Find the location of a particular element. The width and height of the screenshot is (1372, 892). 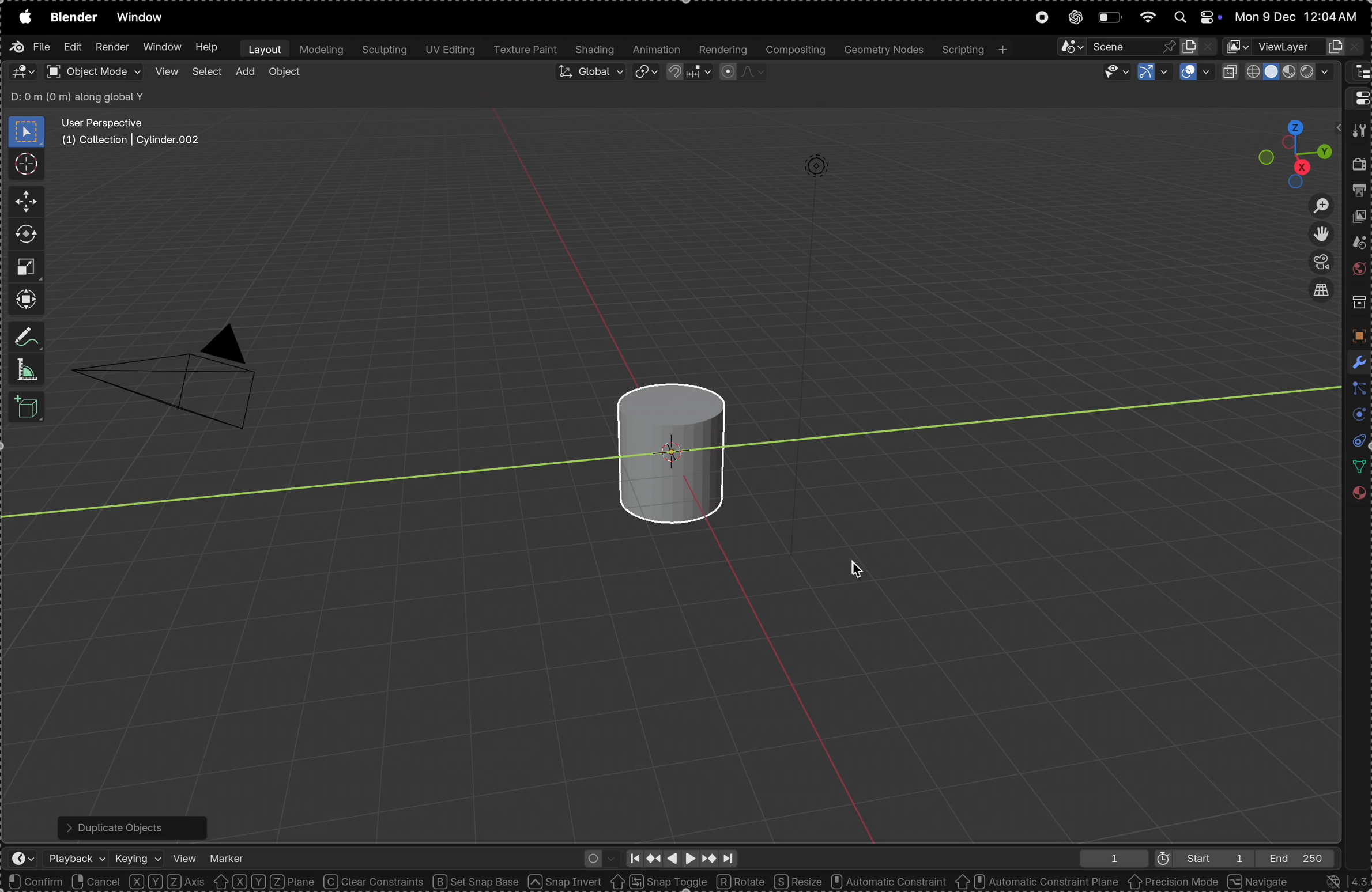

show overlays is located at coordinates (1195, 73).